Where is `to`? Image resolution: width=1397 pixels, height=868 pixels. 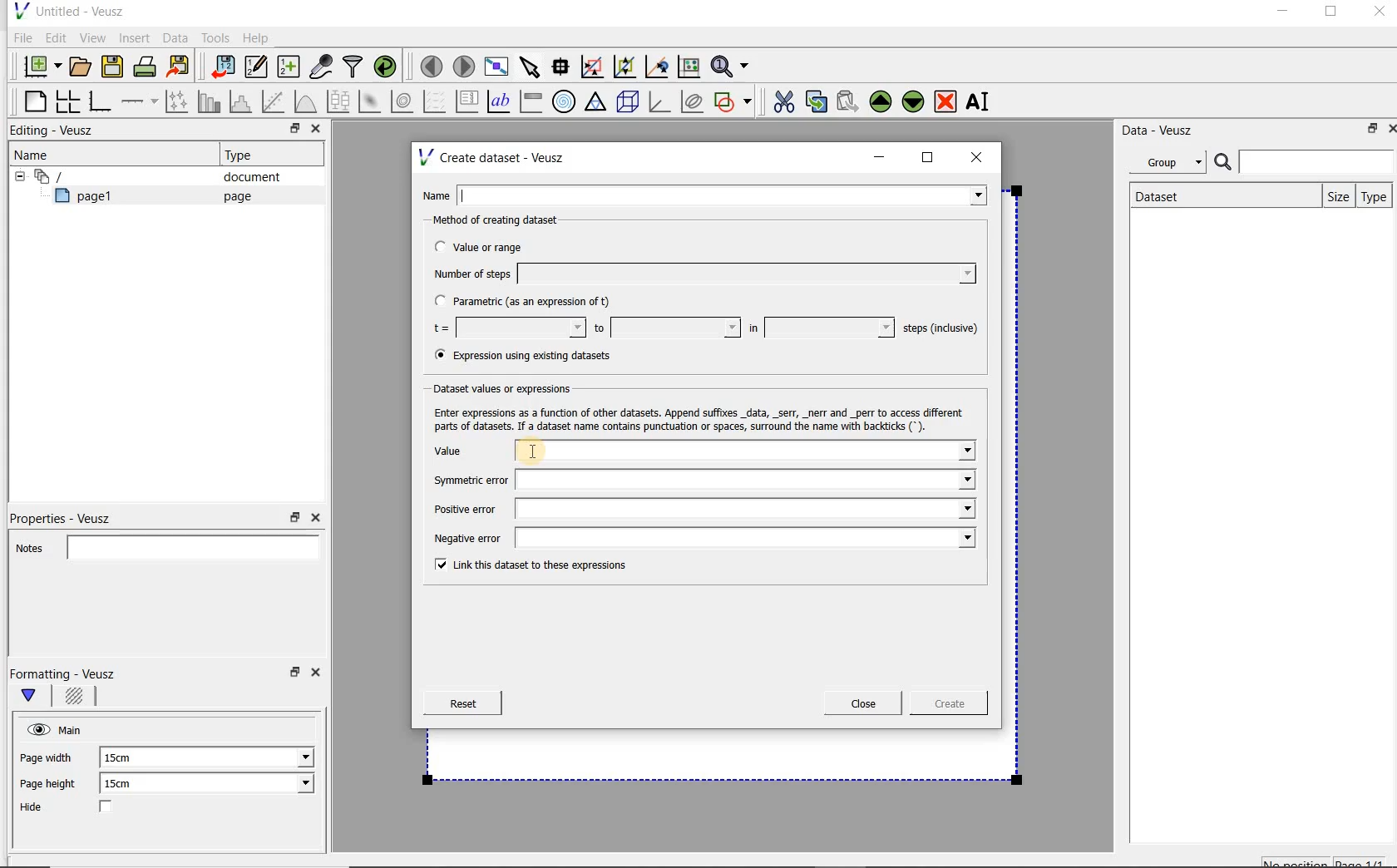 to is located at coordinates (665, 328).